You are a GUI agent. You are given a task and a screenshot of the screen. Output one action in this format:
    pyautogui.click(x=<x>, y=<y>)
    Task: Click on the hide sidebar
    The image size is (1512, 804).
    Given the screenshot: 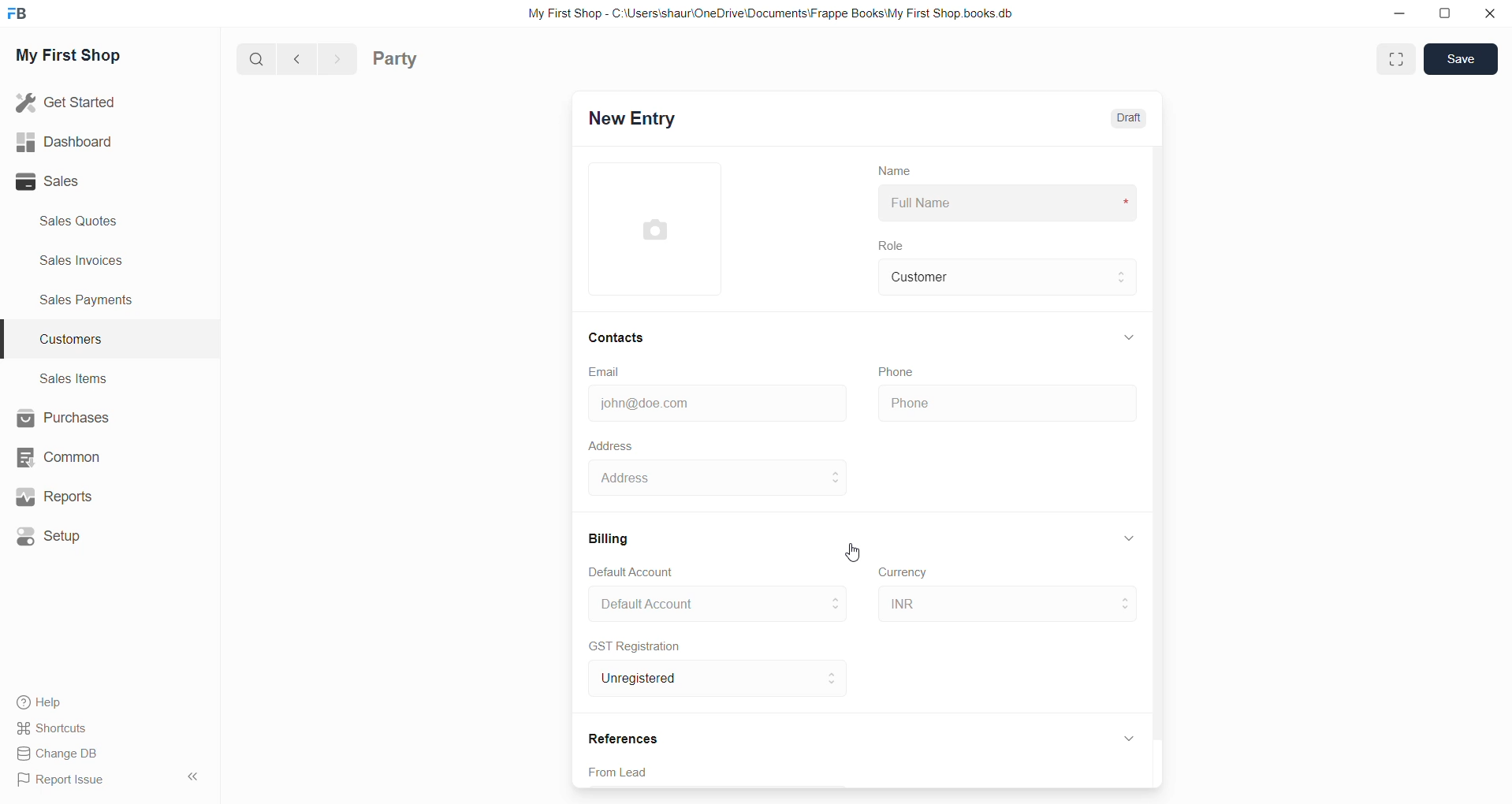 What is the action you would take?
    pyautogui.click(x=188, y=778)
    